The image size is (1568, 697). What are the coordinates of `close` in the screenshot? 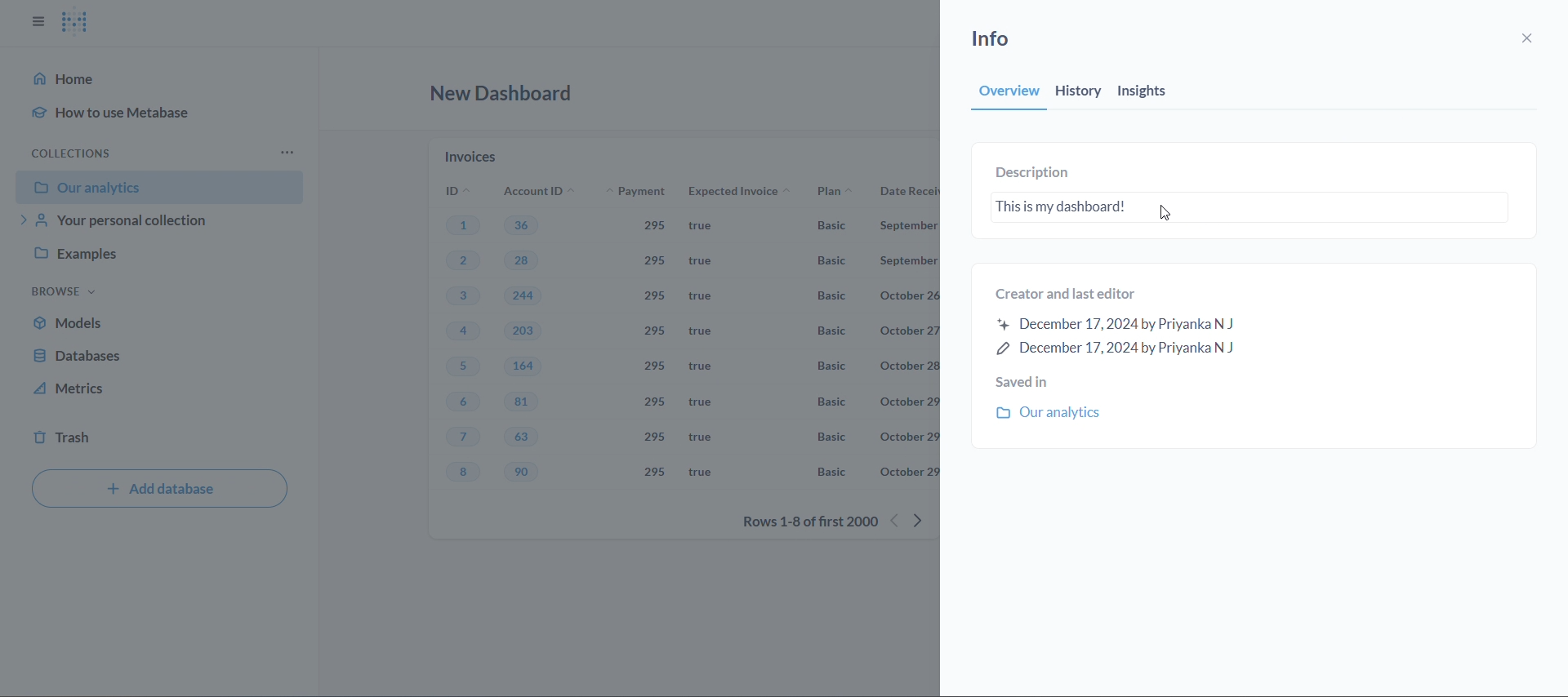 It's located at (1531, 36).